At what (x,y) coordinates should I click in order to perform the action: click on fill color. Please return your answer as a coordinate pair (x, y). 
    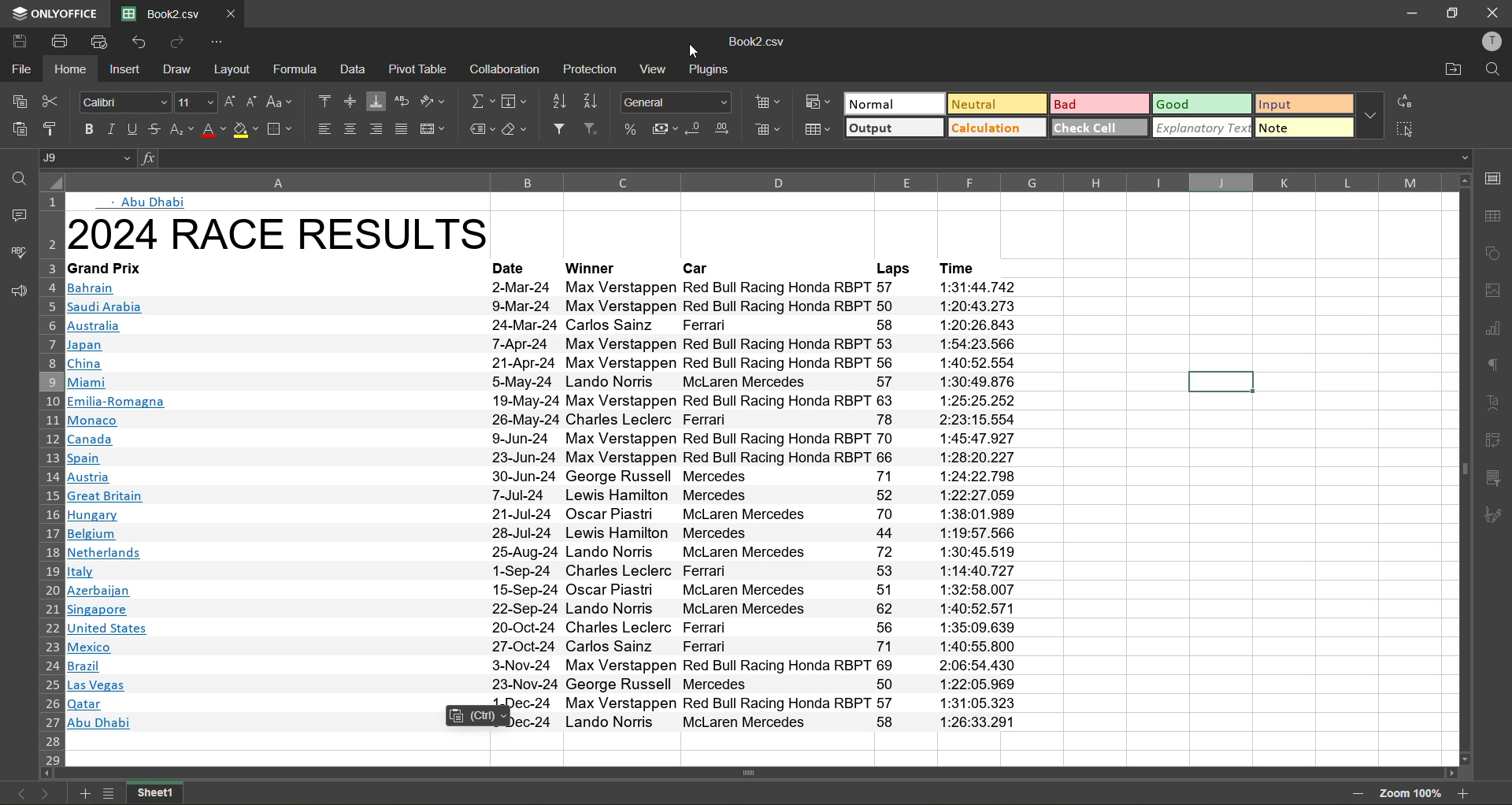
    Looking at the image, I should click on (247, 130).